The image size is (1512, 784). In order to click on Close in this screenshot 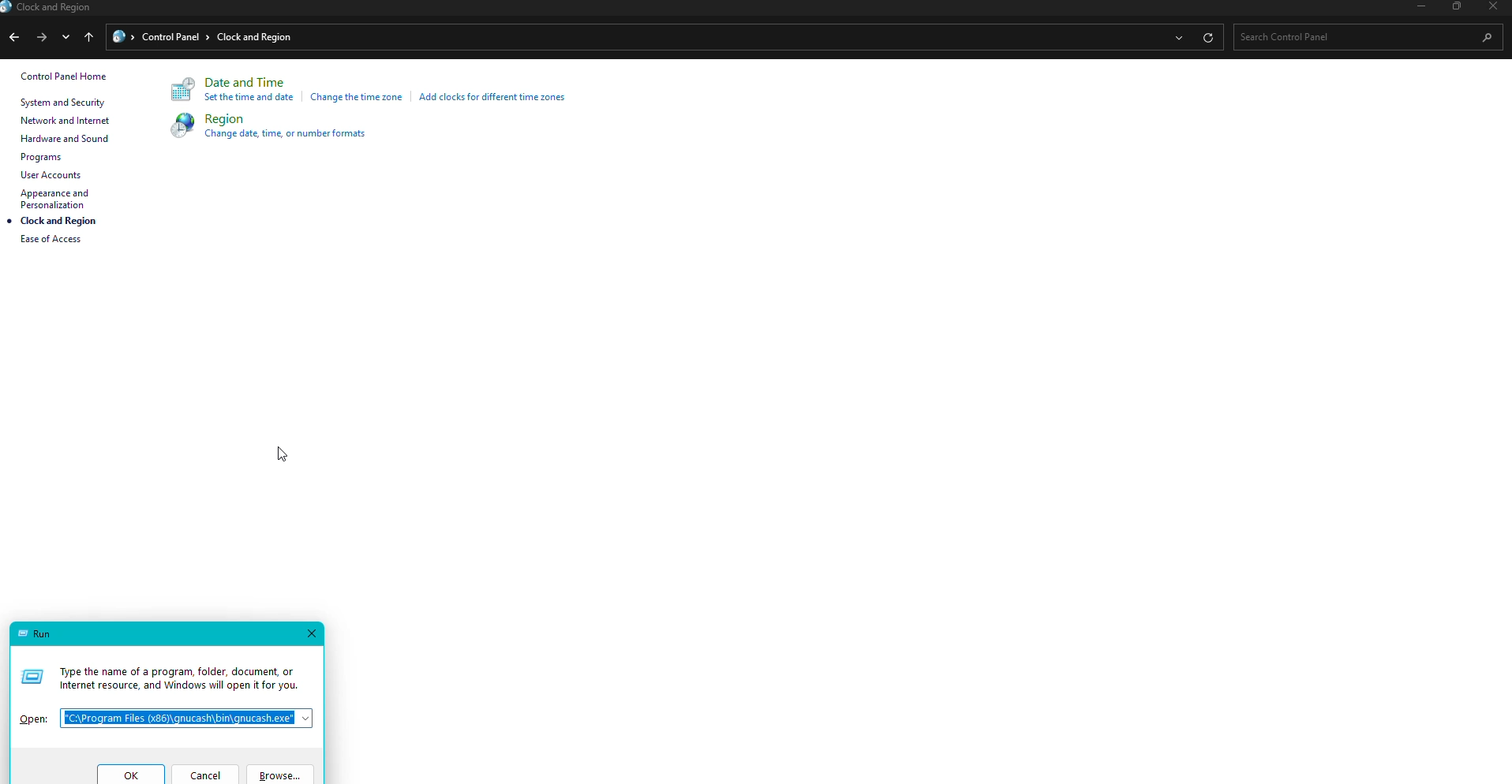, I will do `click(315, 633)`.